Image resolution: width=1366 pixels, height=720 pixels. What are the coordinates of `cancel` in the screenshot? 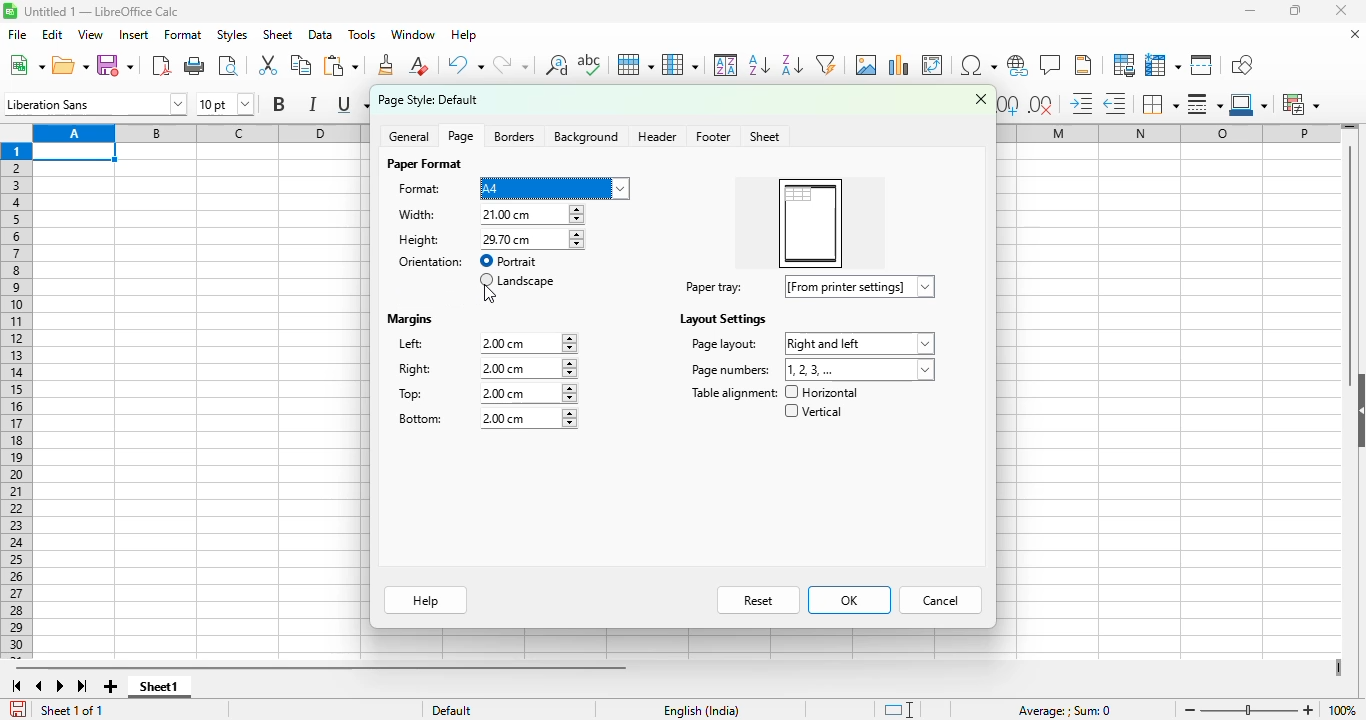 It's located at (941, 600).